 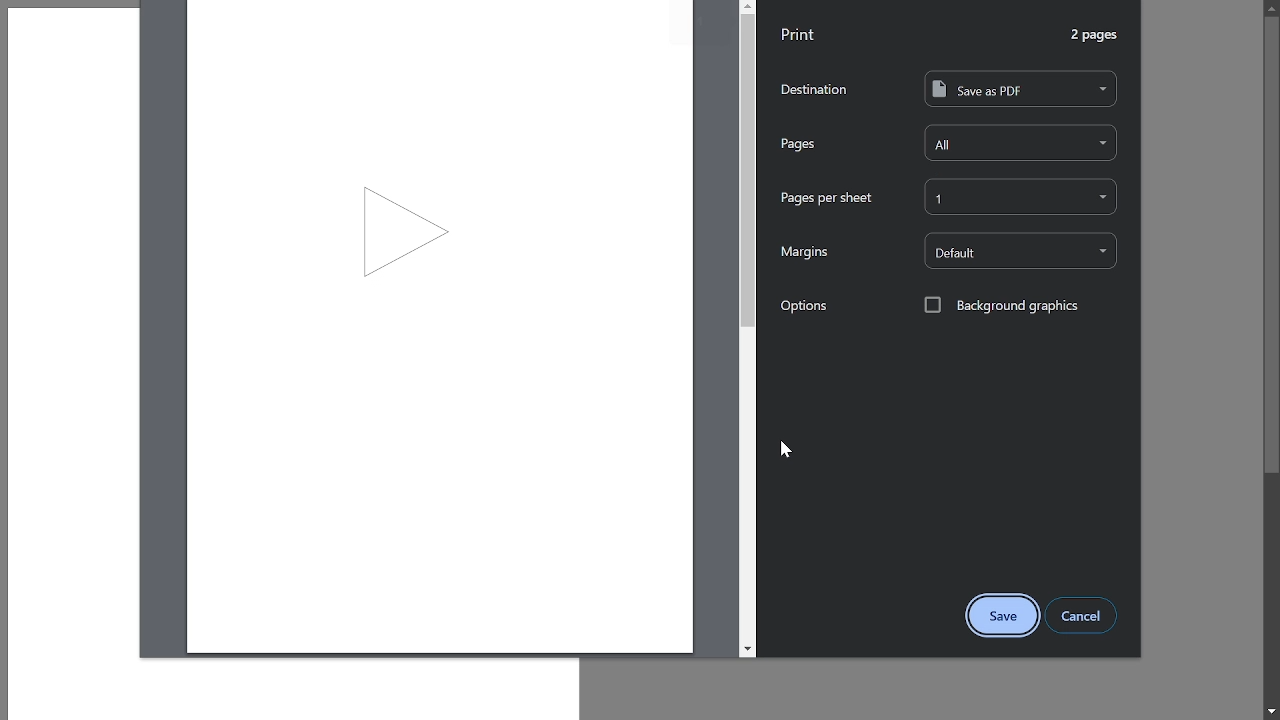 I want to click on Destination, so click(x=814, y=89).